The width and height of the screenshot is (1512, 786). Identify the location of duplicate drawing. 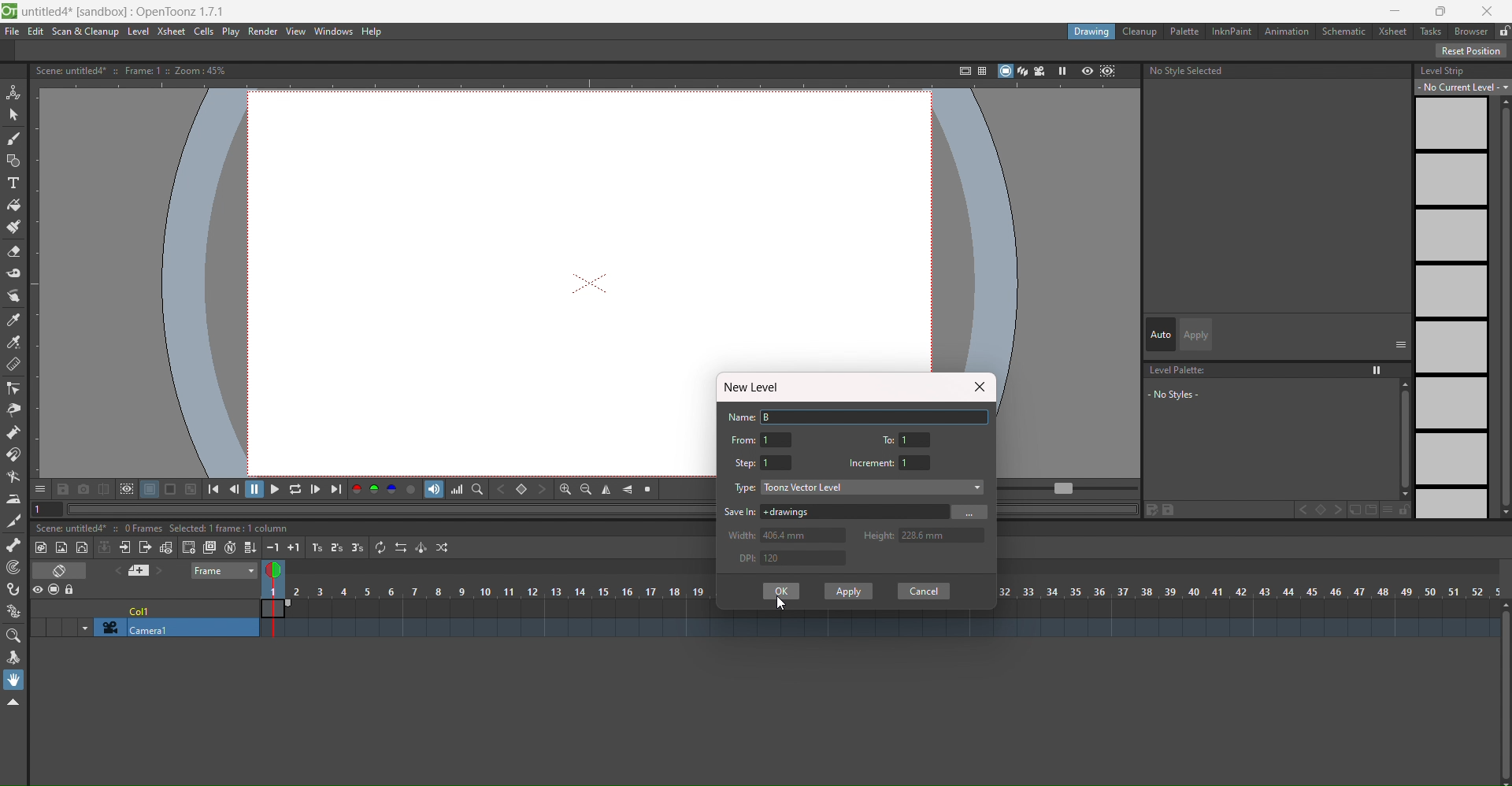
(209, 548).